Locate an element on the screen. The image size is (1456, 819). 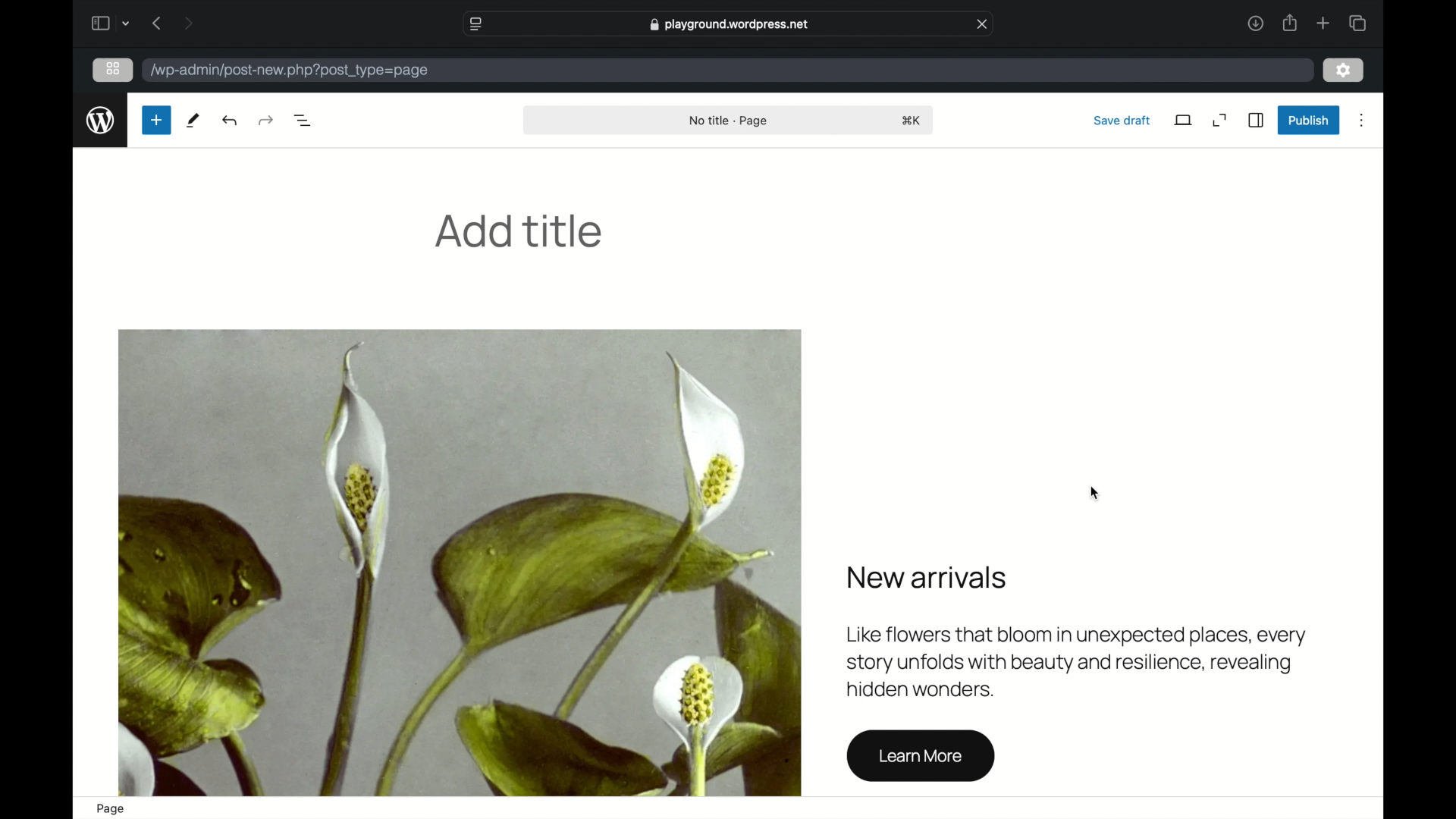
view is located at coordinates (1183, 121).